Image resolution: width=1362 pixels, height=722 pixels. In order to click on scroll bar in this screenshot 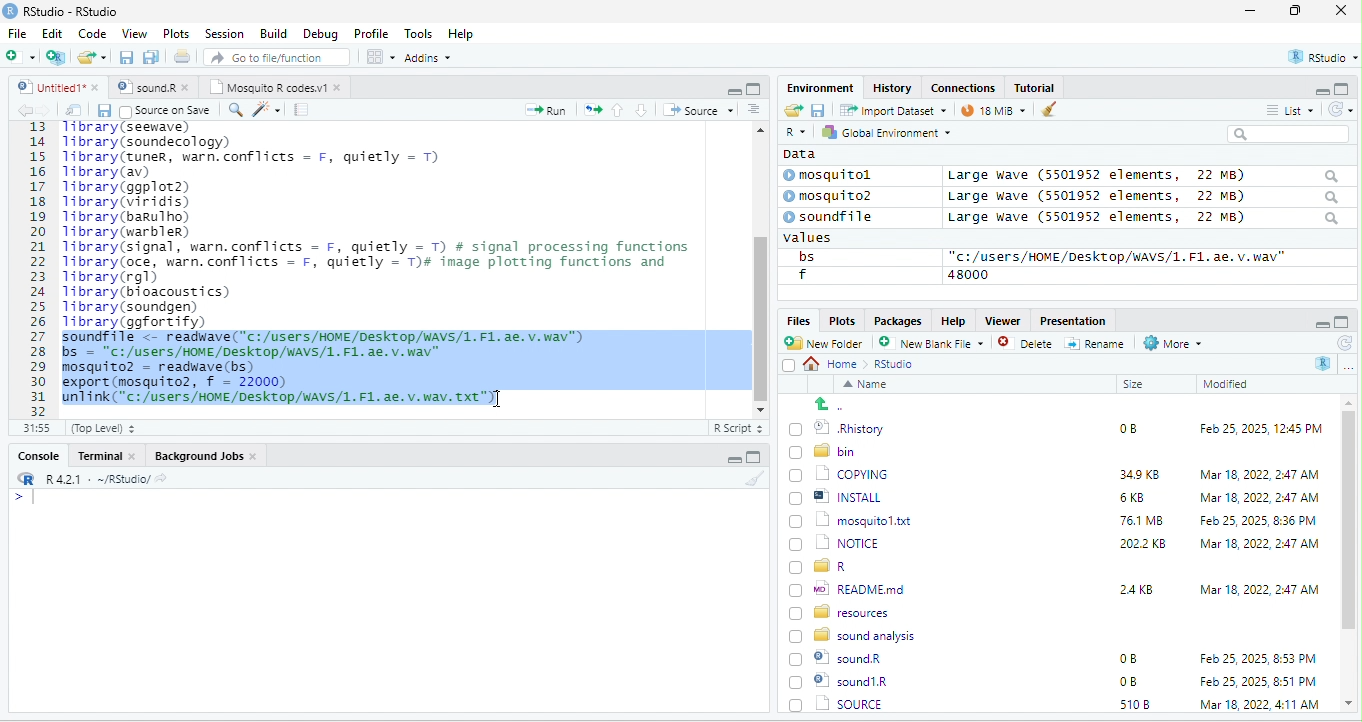, I will do `click(1349, 554)`.